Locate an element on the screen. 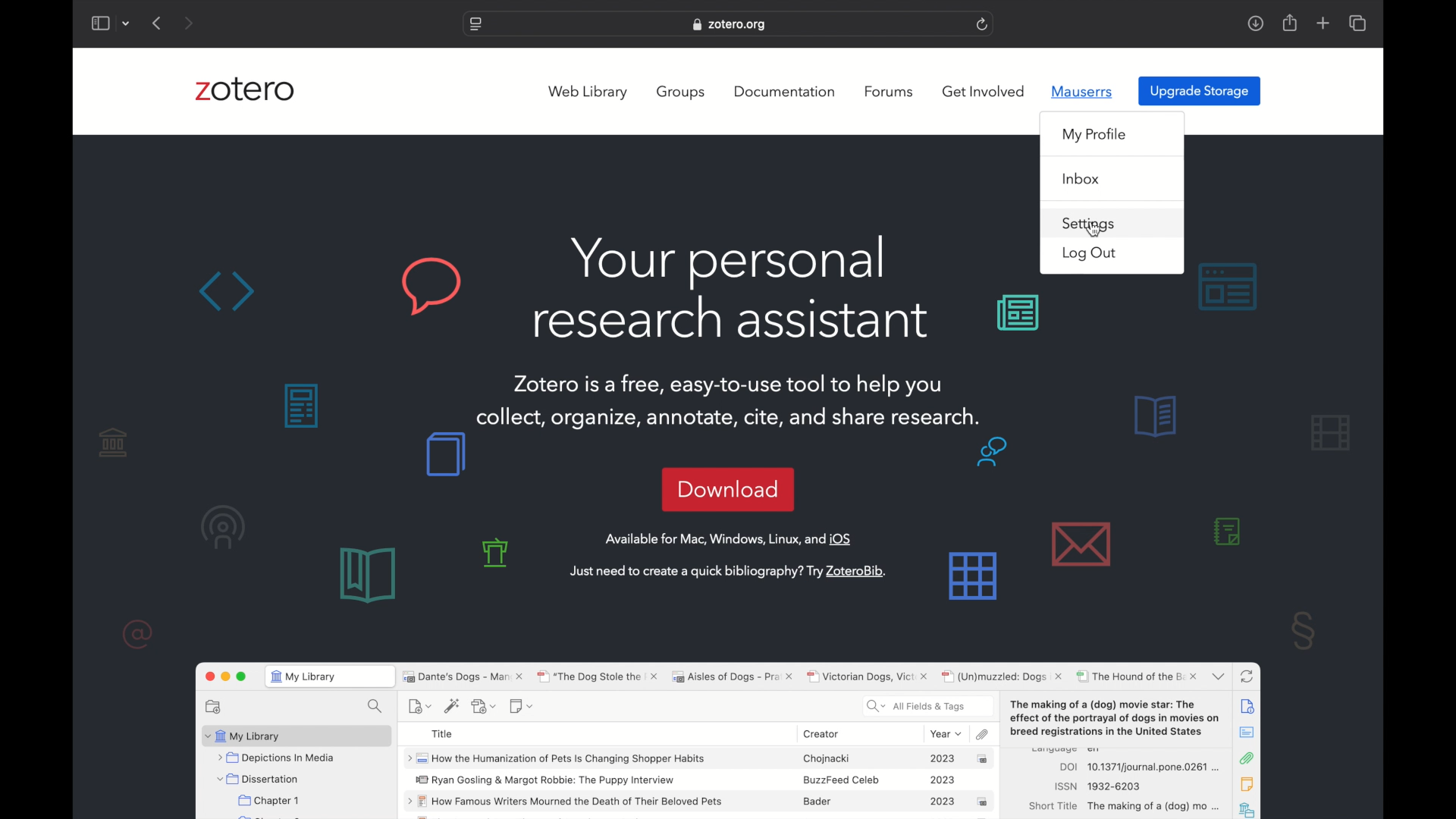 This screenshot has width=1456, height=819. new tab is located at coordinates (1323, 23).